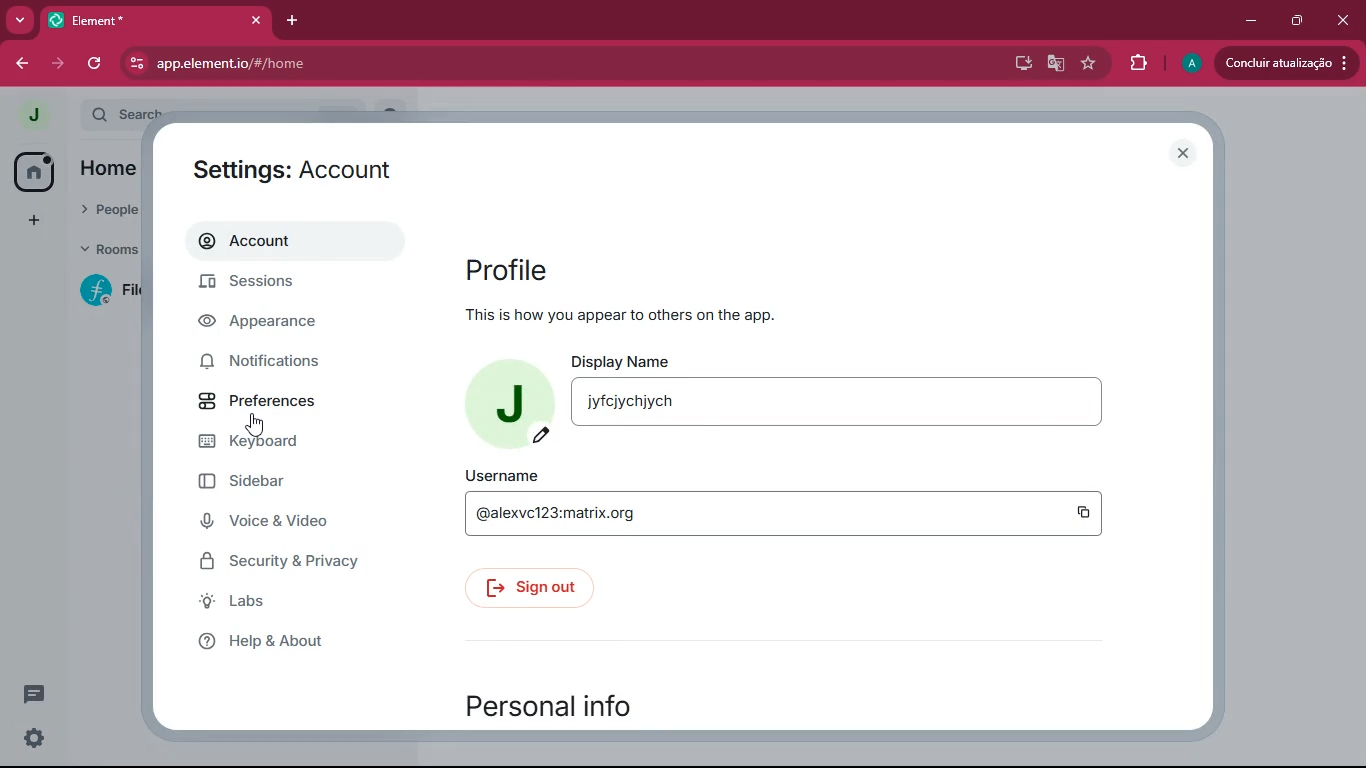 This screenshot has height=768, width=1366. I want to click on settings: account, so click(305, 173).